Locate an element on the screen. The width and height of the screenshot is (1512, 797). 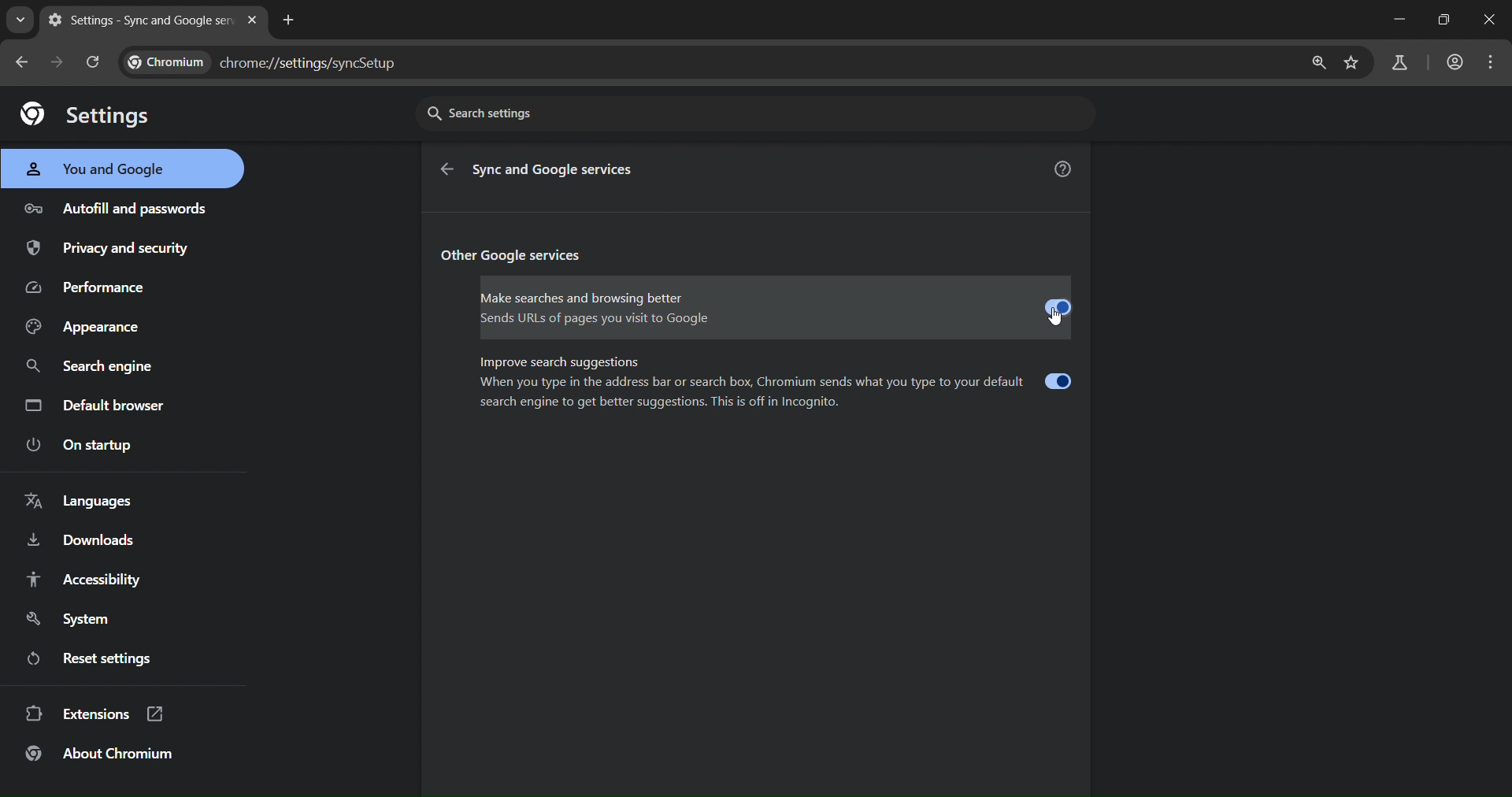
search settings is located at coordinates (755, 114).